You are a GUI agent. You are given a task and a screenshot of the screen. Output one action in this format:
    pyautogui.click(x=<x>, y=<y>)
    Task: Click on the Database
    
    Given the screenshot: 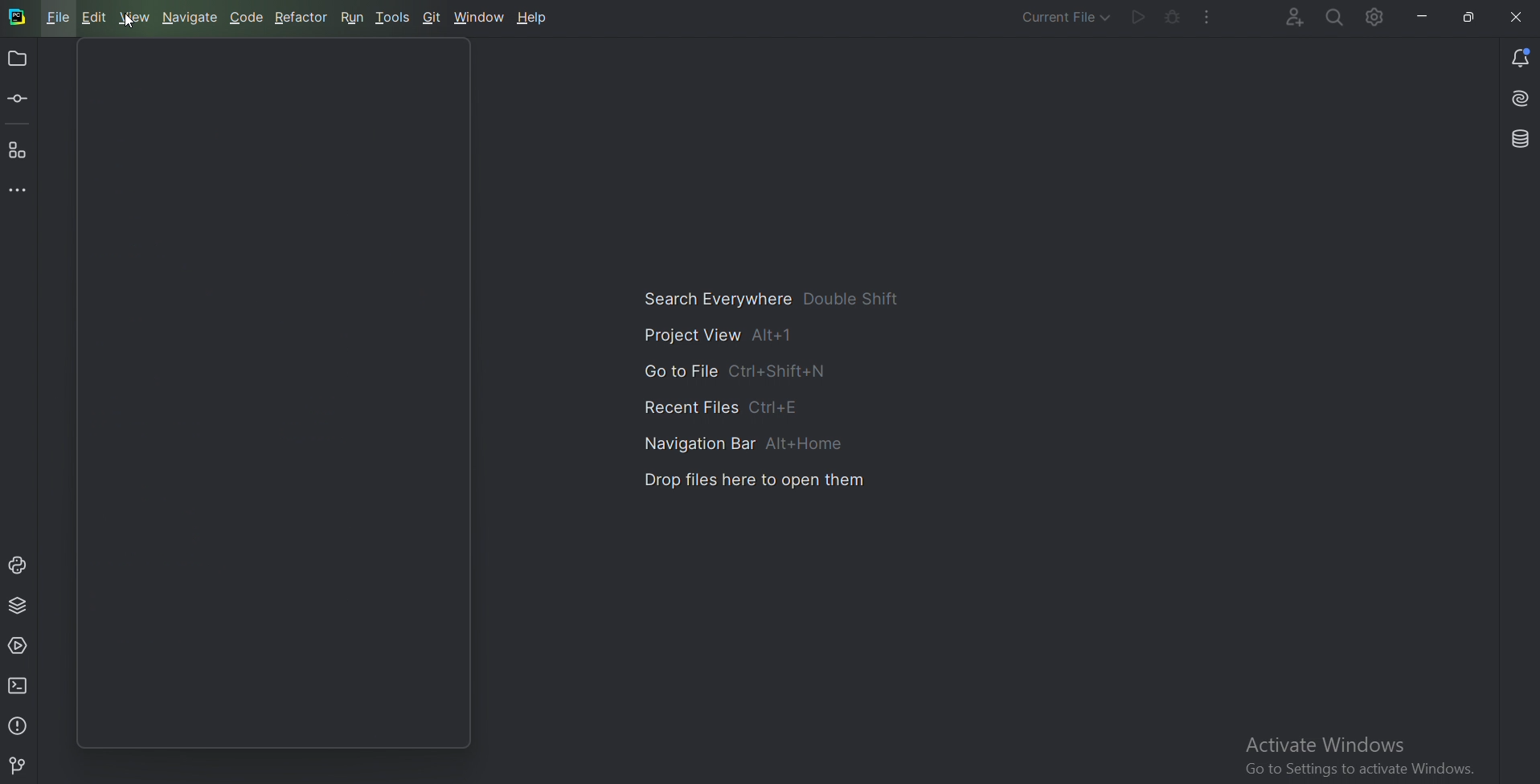 What is the action you would take?
    pyautogui.click(x=1518, y=140)
    